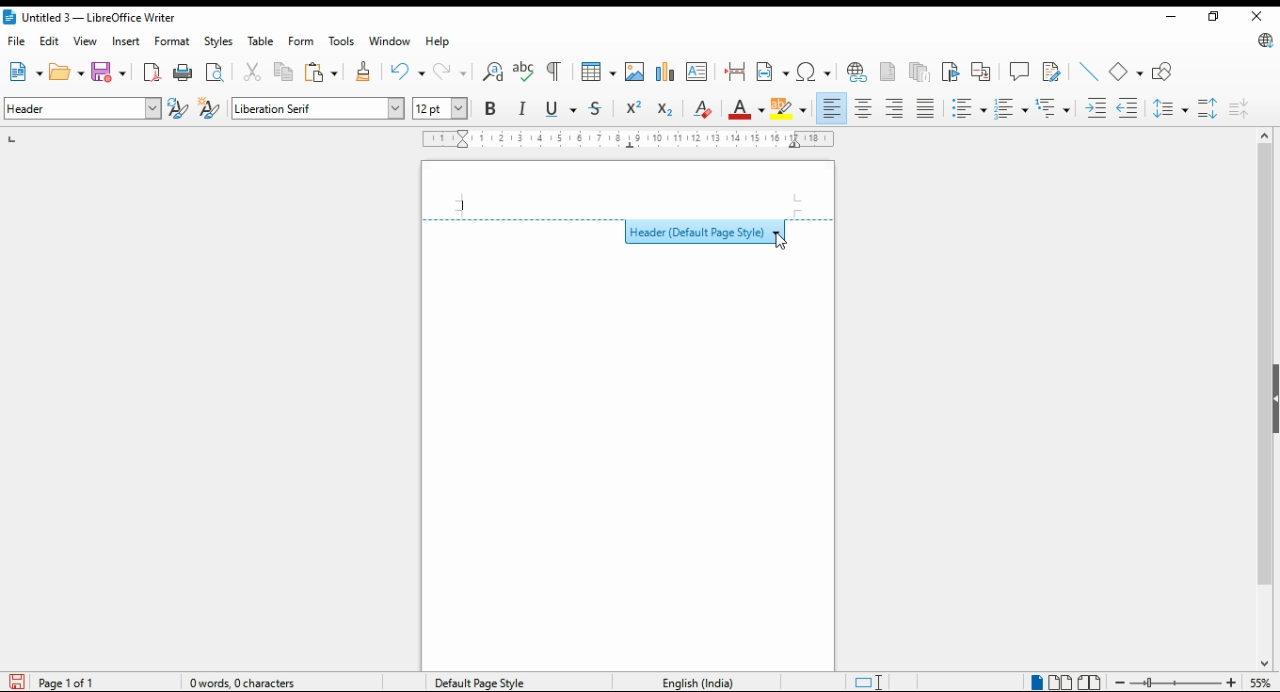 The image size is (1280, 692). What do you see at coordinates (968, 109) in the screenshot?
I see `toggle unordered list` at bounding box center [968, 109].